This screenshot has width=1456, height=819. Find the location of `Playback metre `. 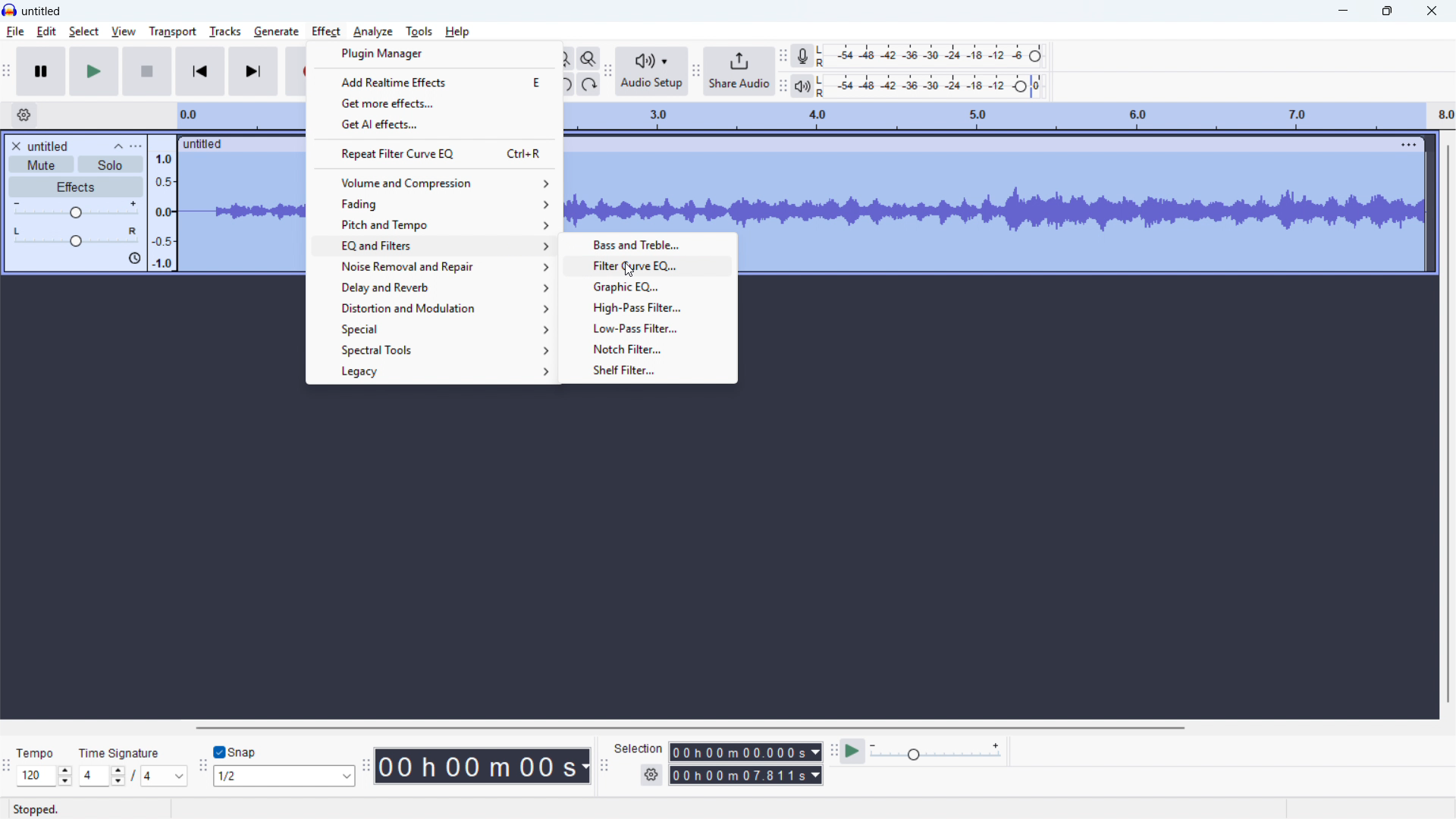

Playback metre  is located at coordinates (802, 86).